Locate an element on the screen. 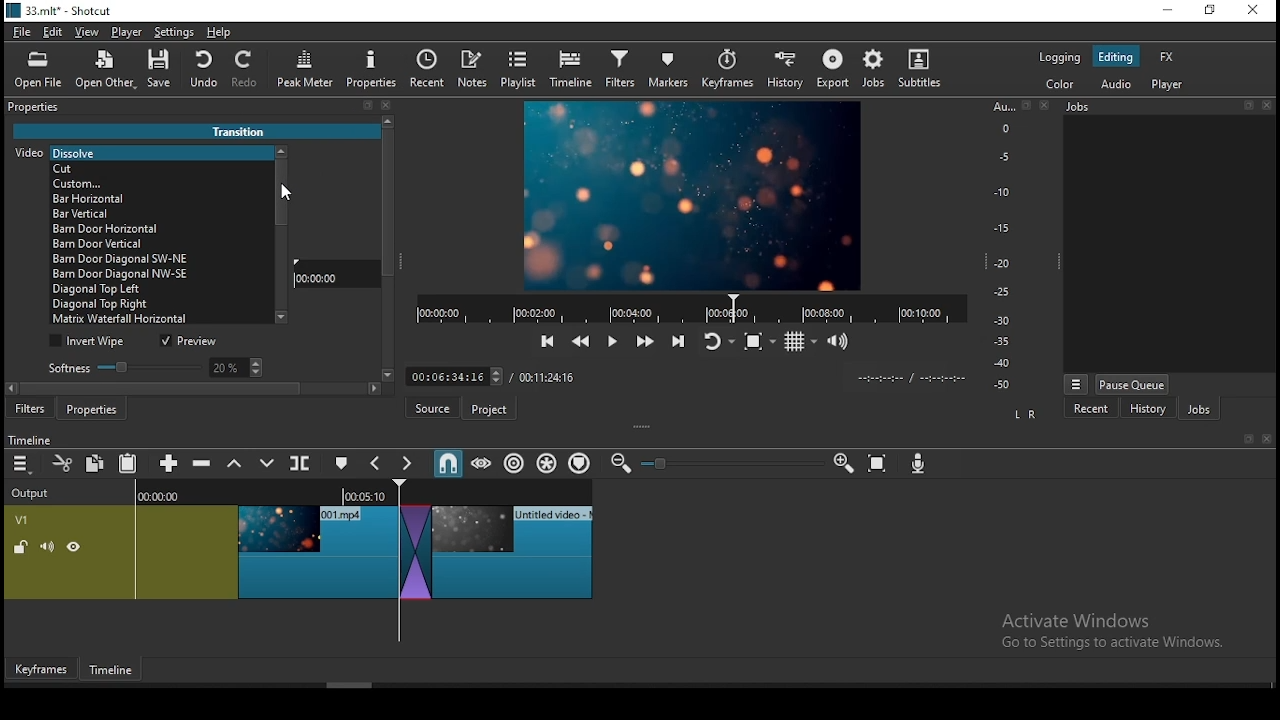  ripple all tracks is located at coordinates (548, 462).